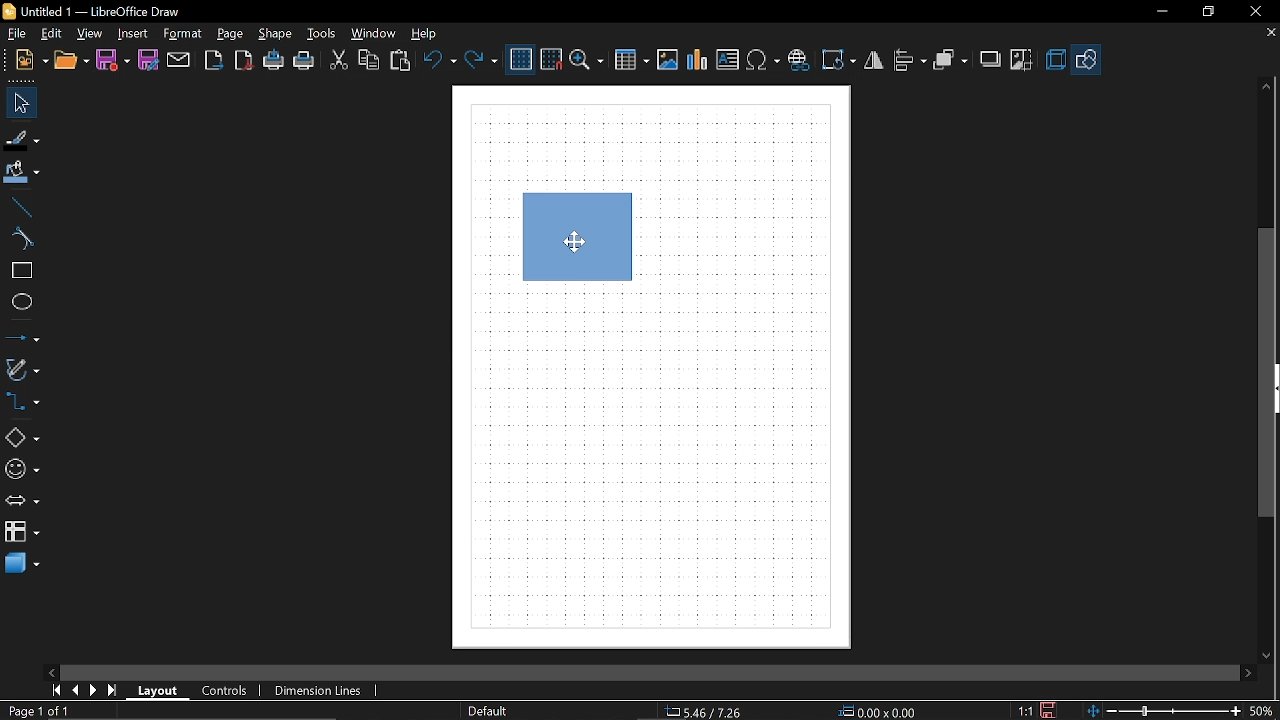 Image resolution: width=1280 pixels, height=720 pixels. I want to click on Save, so click(1051, 709).